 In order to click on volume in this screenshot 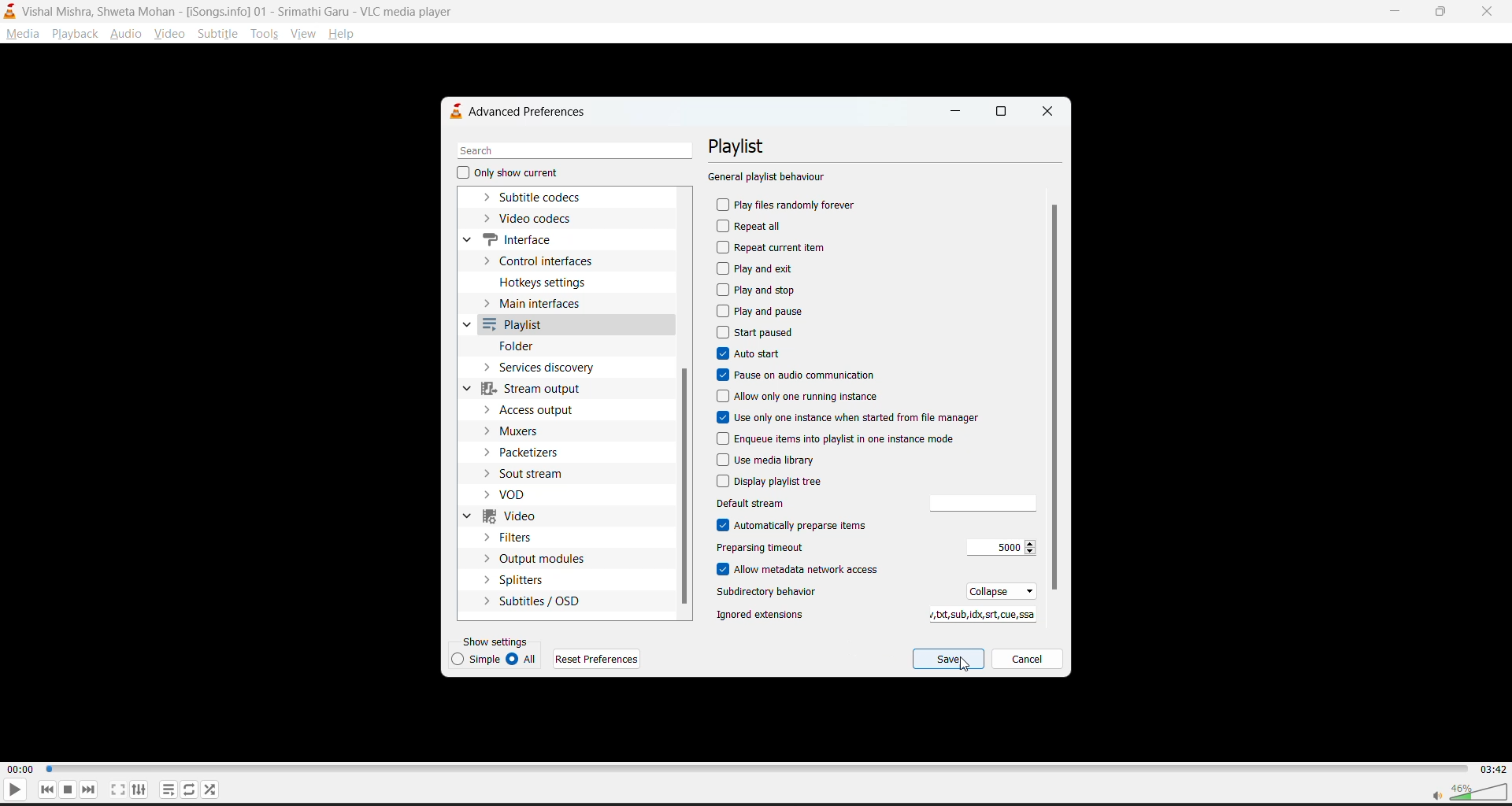, I will do `click(1462, 790)`.